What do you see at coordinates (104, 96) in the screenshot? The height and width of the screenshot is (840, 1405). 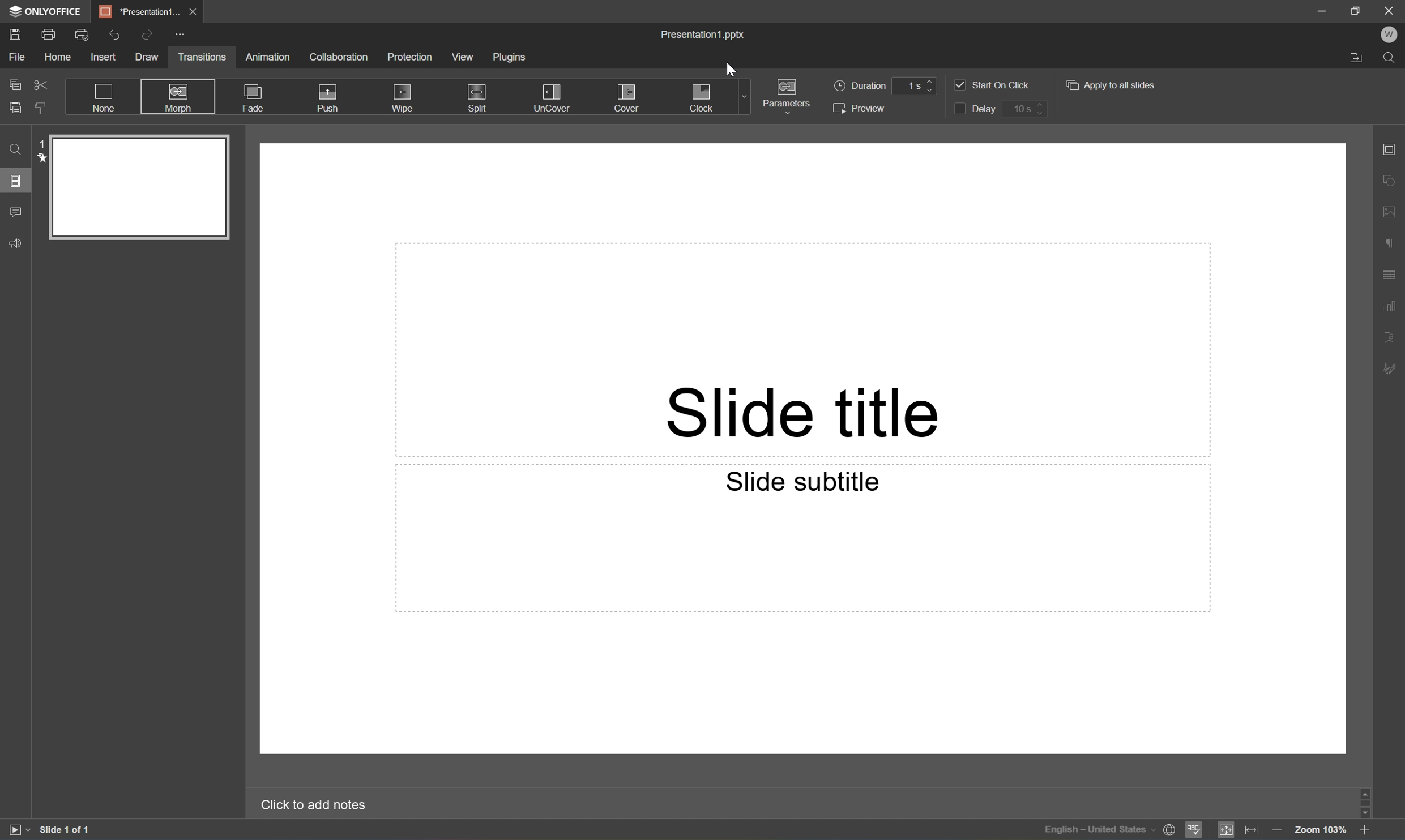 I see `None` at bounding box center [104, 96].